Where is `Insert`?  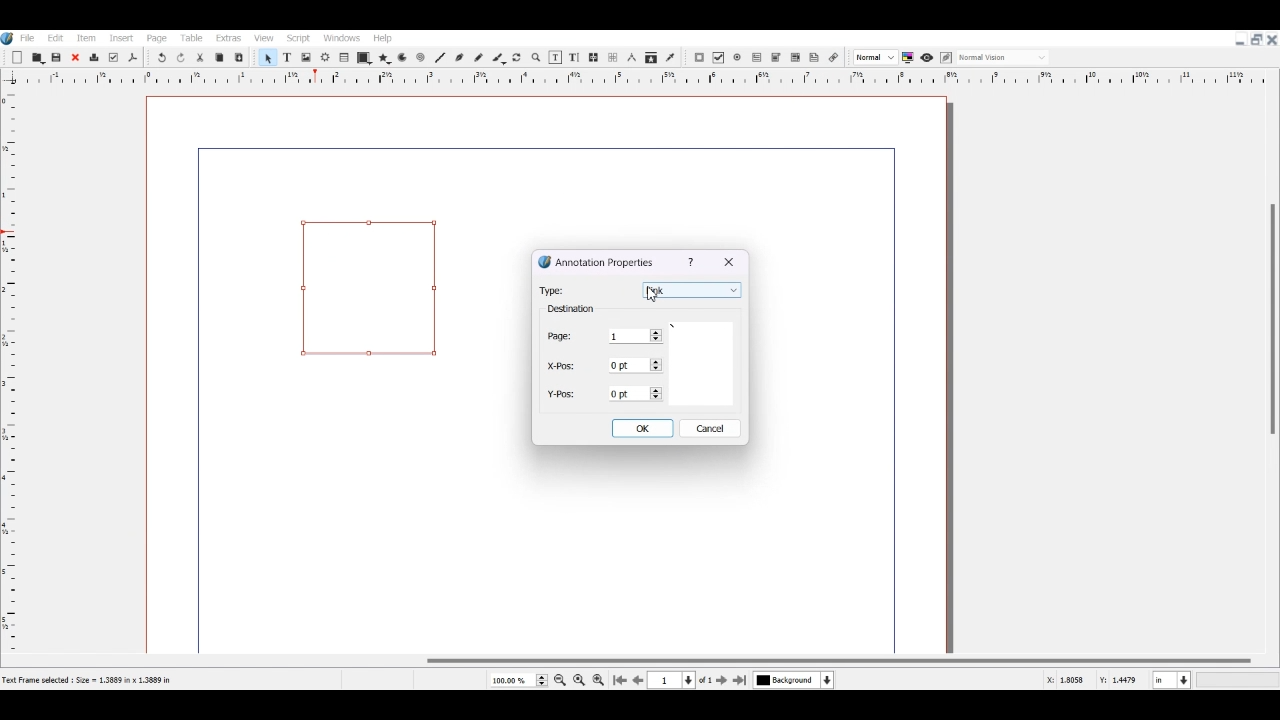
Insert is located at coordinates (120, 38).